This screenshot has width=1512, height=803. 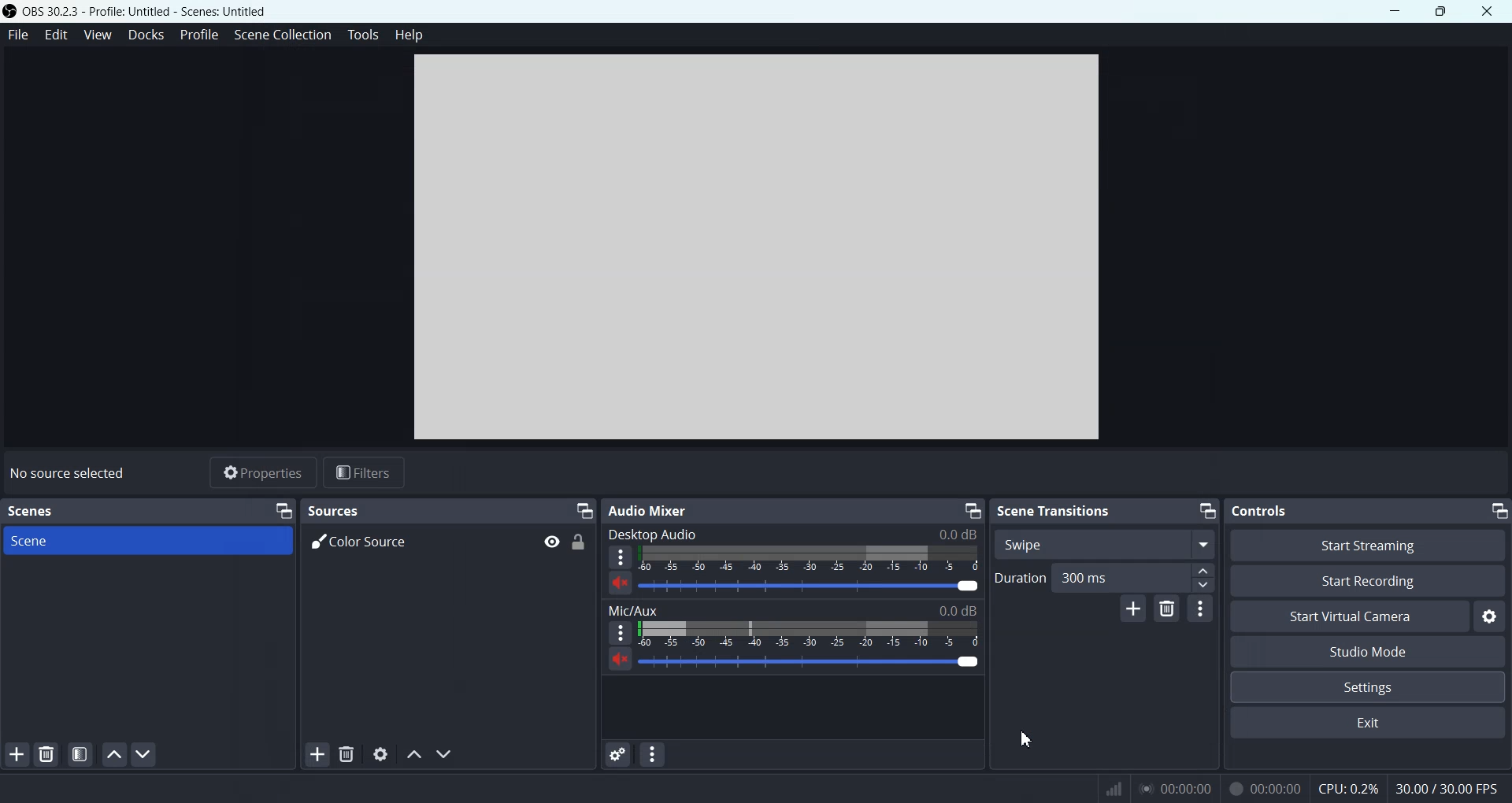 I want to click on Text, so click(x=1052, y=511).